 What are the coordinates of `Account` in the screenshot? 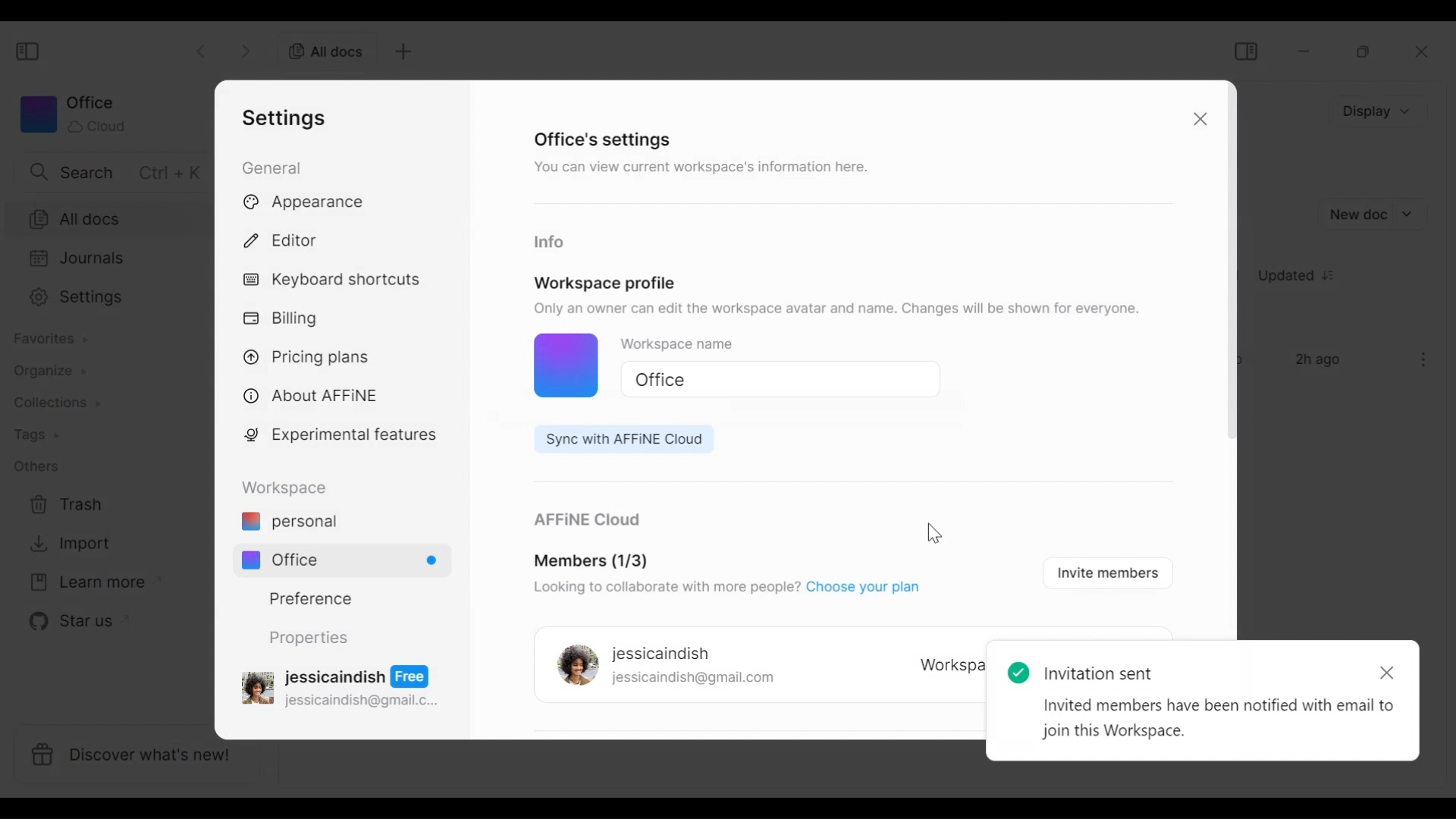 It's located at (344, 685).